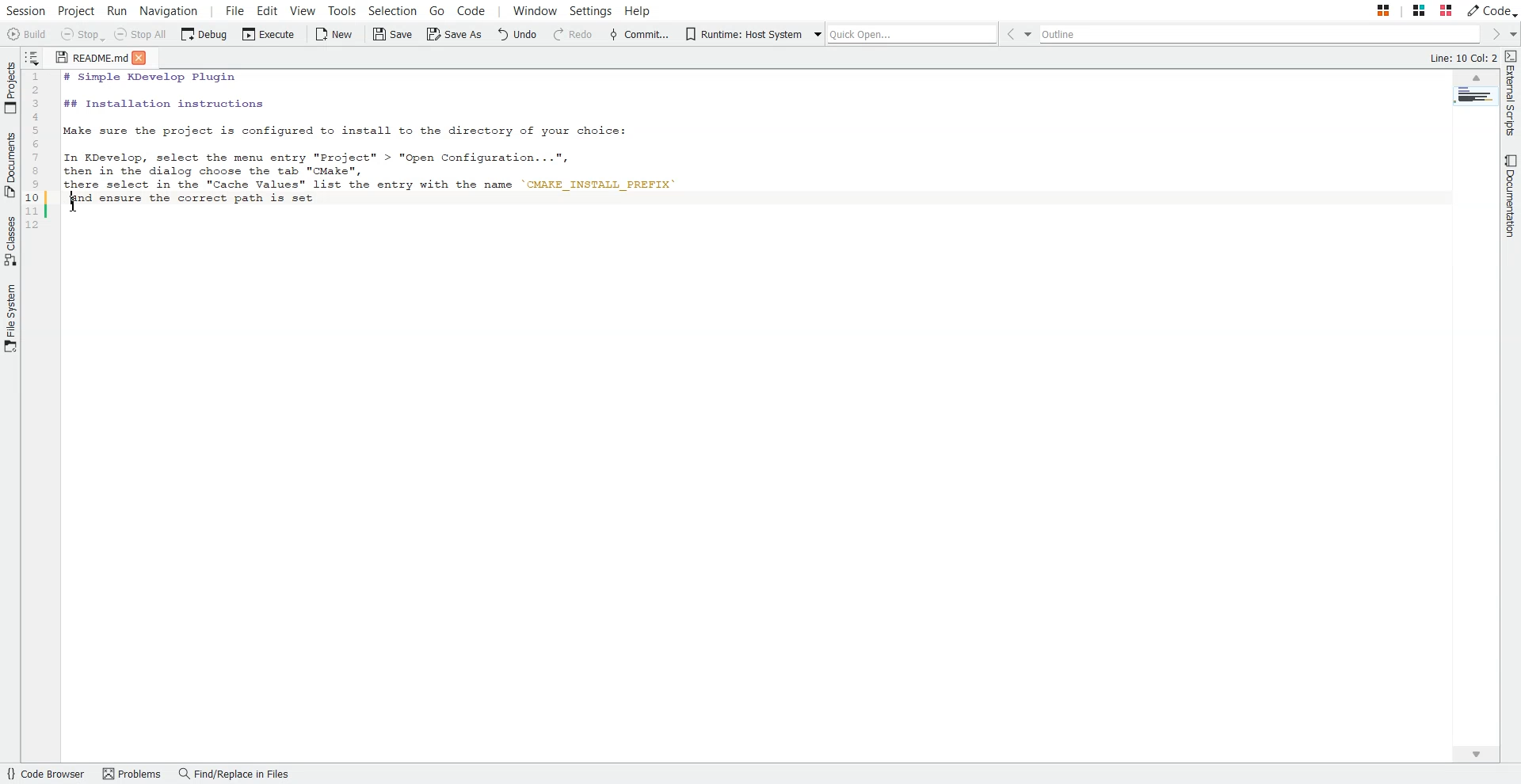  What do you see at coordinates (1492, 10) in the screenshot?
I see `Code` at bounding box center [1492, 10].